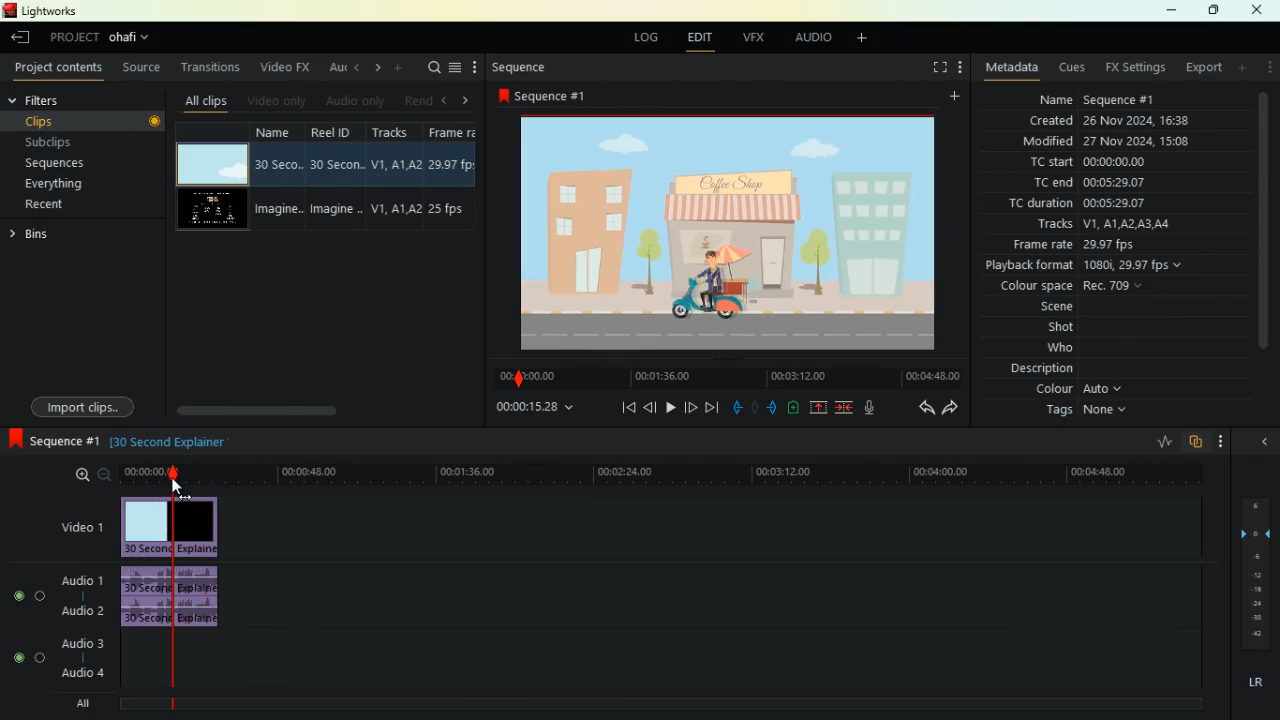 This screenshot has width=1280, height=720. What do you see at coordinates (359, 100) in the screenshot?
I see `audio only` at bounding box center [359, 100].